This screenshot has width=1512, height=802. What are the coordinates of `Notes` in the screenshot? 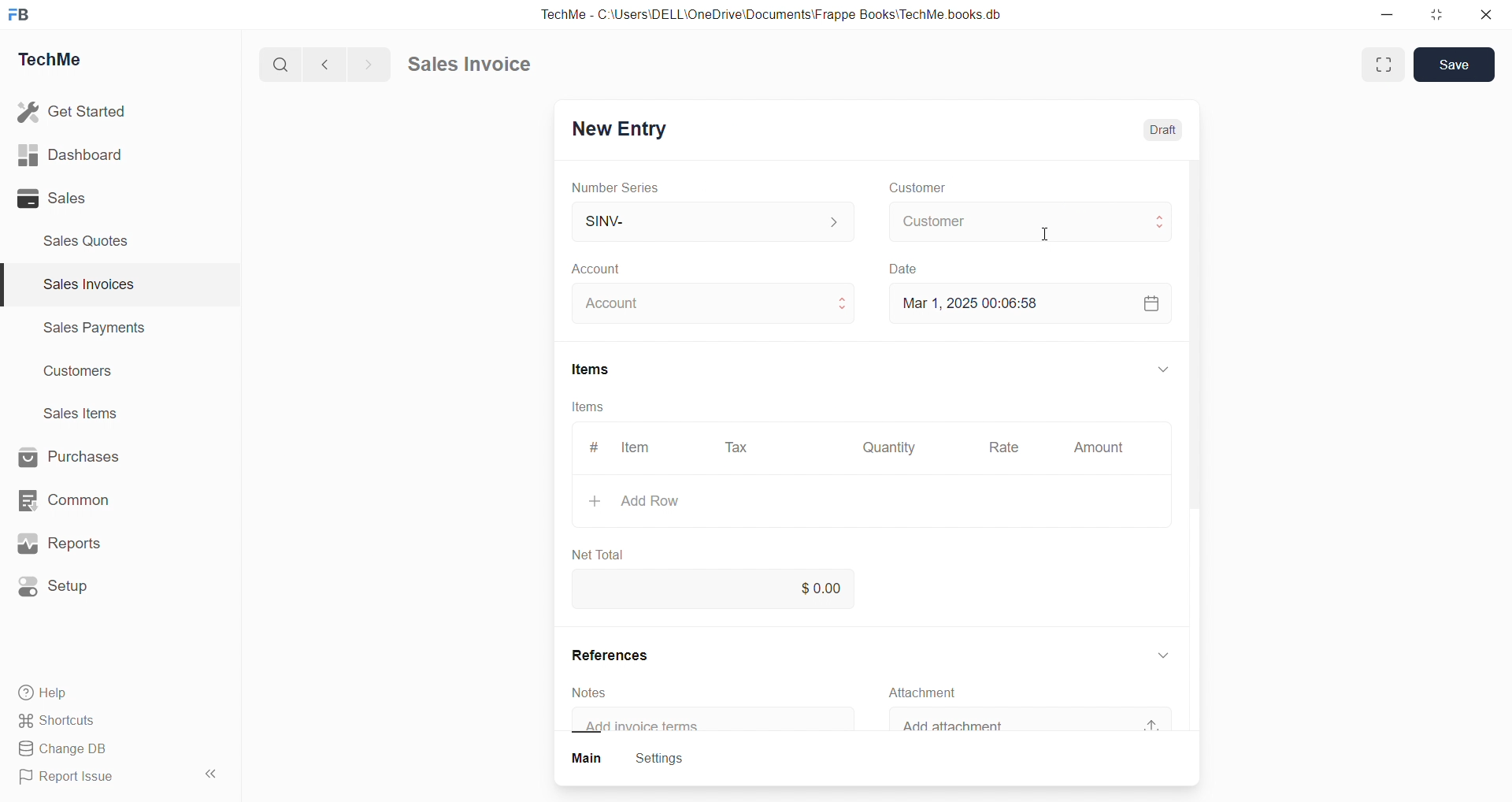 It's located at (598, 692).